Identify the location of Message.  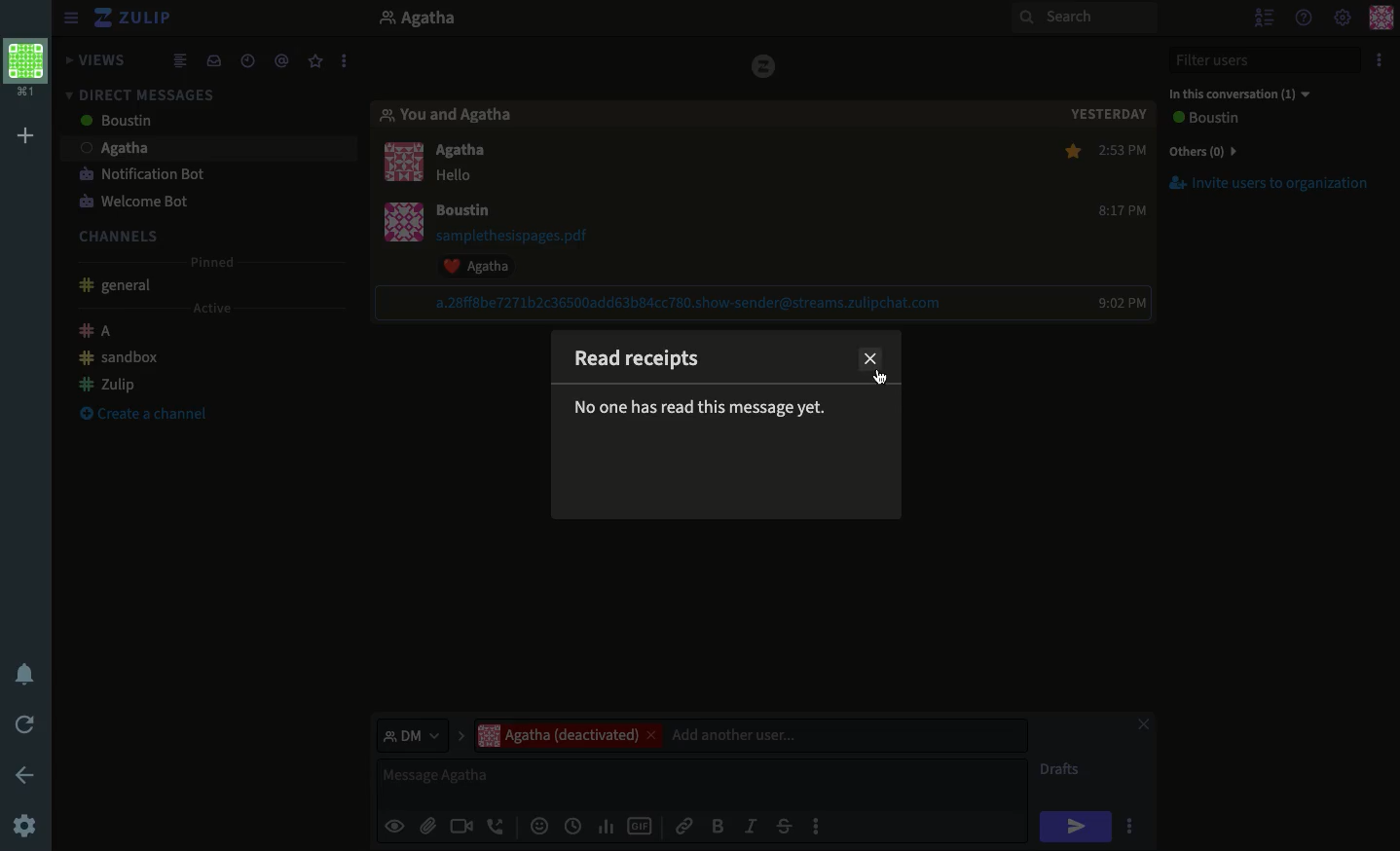
(705, 784).